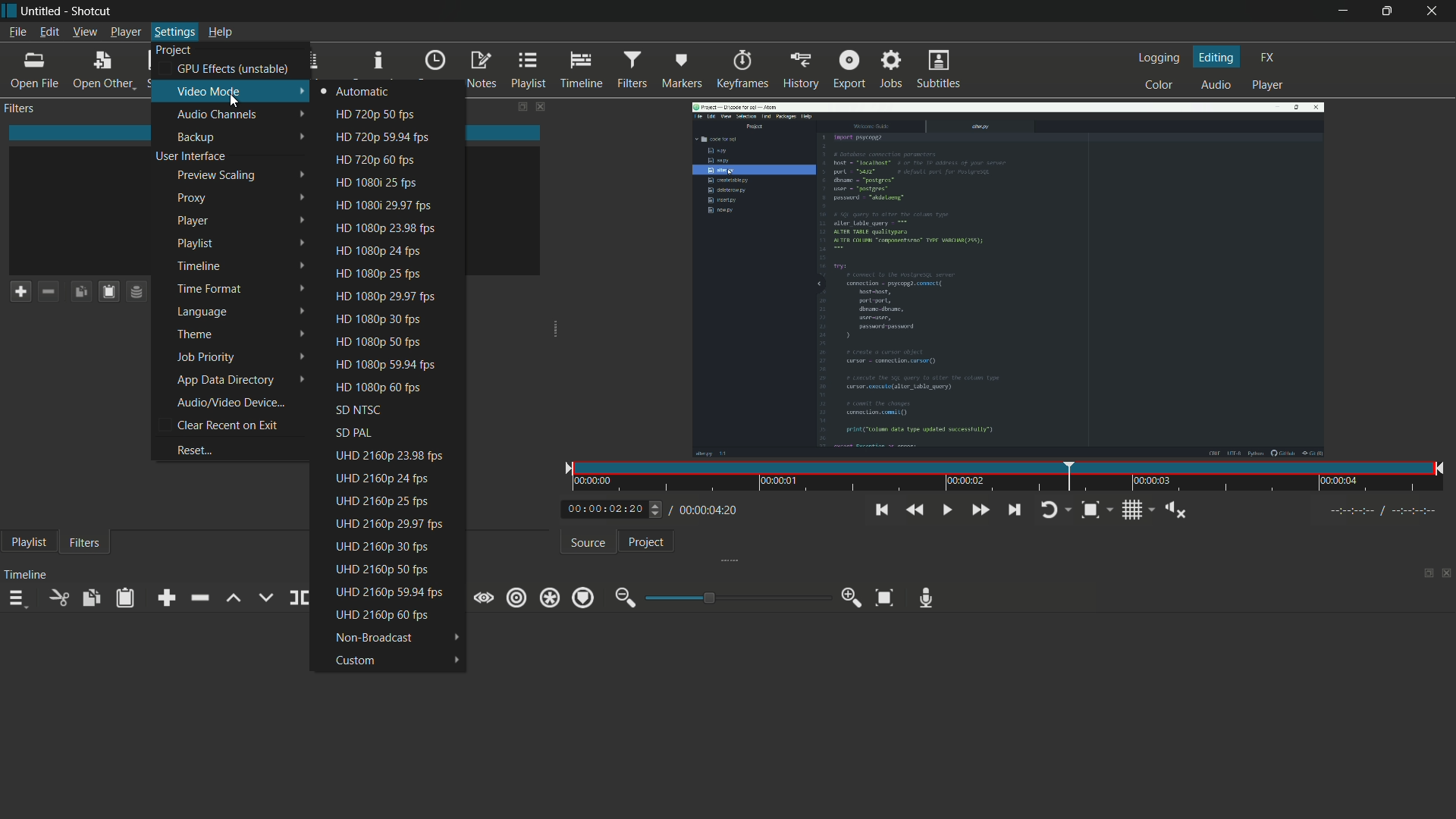 This screenshot has height=819, width=1456. Describe the element at coordinates (136, 290) in the screenshot. I see `save filter set` at that location.